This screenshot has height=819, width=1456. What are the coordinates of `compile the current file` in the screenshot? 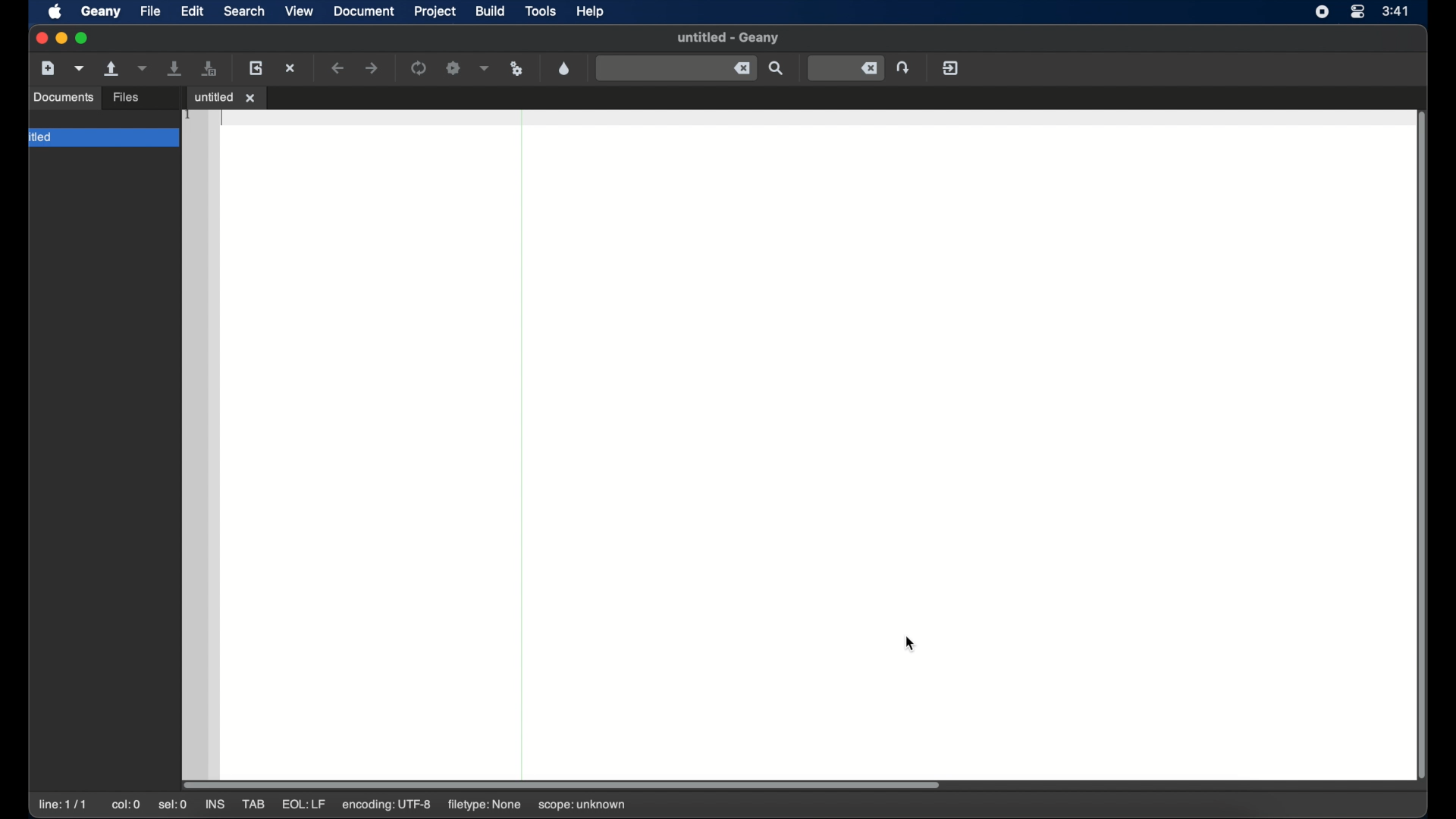 It's located at (419, 67).